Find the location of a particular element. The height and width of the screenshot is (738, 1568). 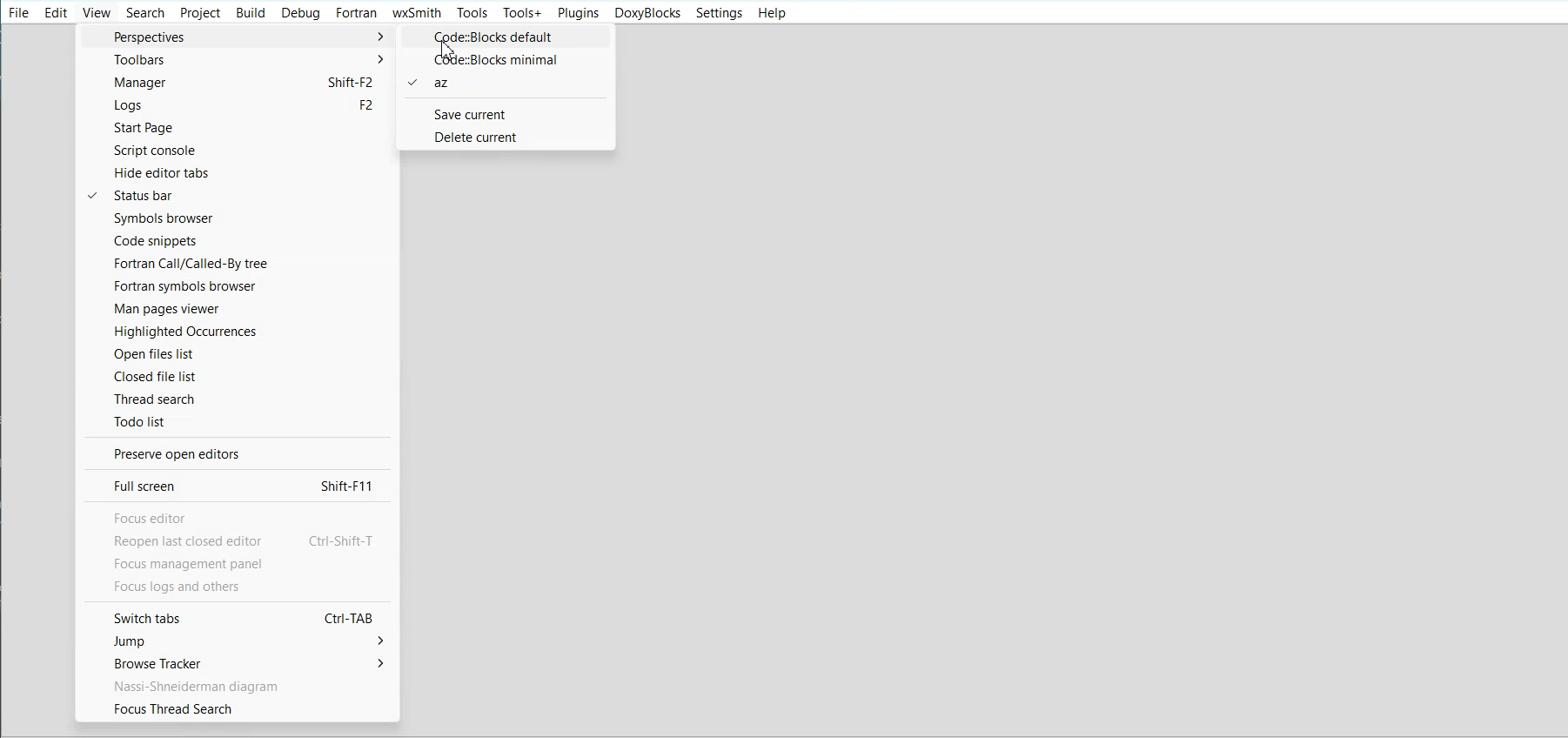

Cursor is located at coordinates (451, 50).